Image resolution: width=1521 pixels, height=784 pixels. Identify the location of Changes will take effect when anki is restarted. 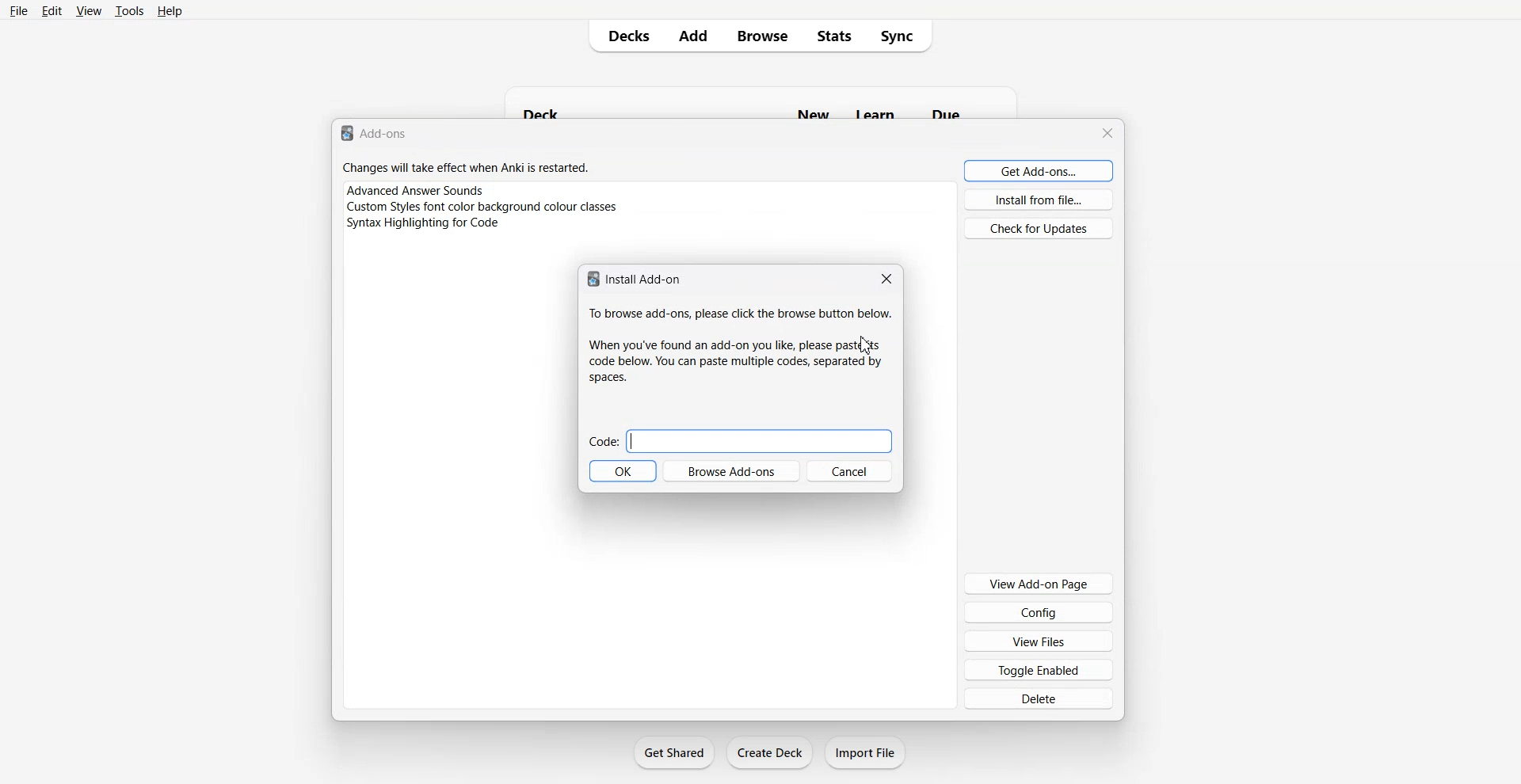
(466, 168).